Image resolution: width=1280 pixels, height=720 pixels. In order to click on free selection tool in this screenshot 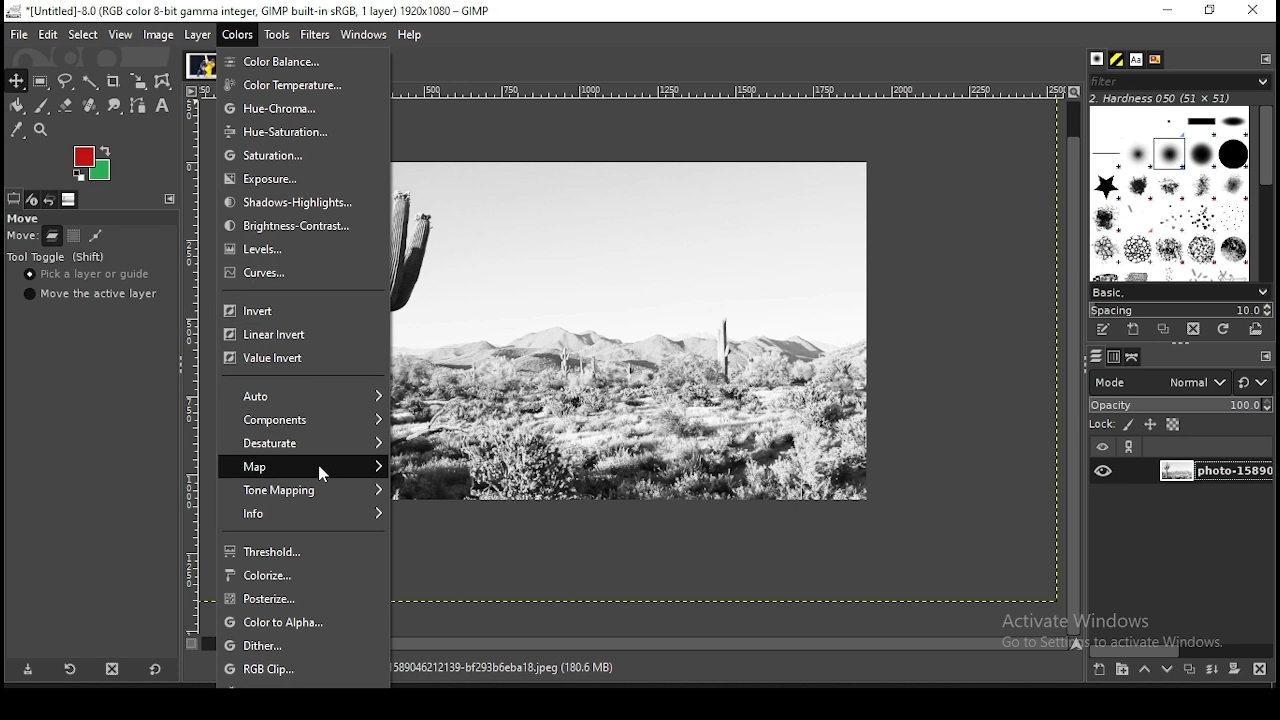, I will do `click(65, 81)`.